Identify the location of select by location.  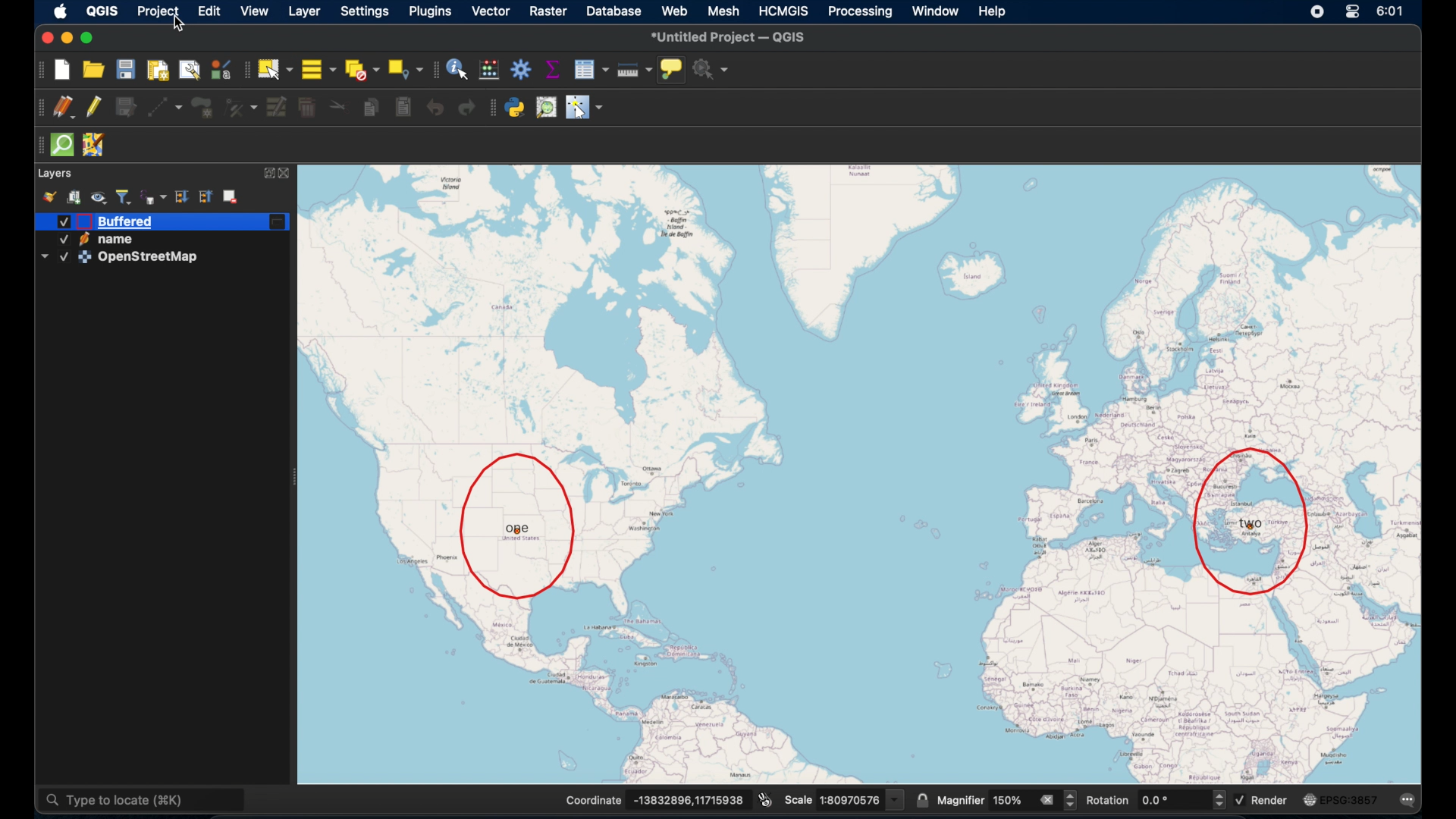
(406, 68).